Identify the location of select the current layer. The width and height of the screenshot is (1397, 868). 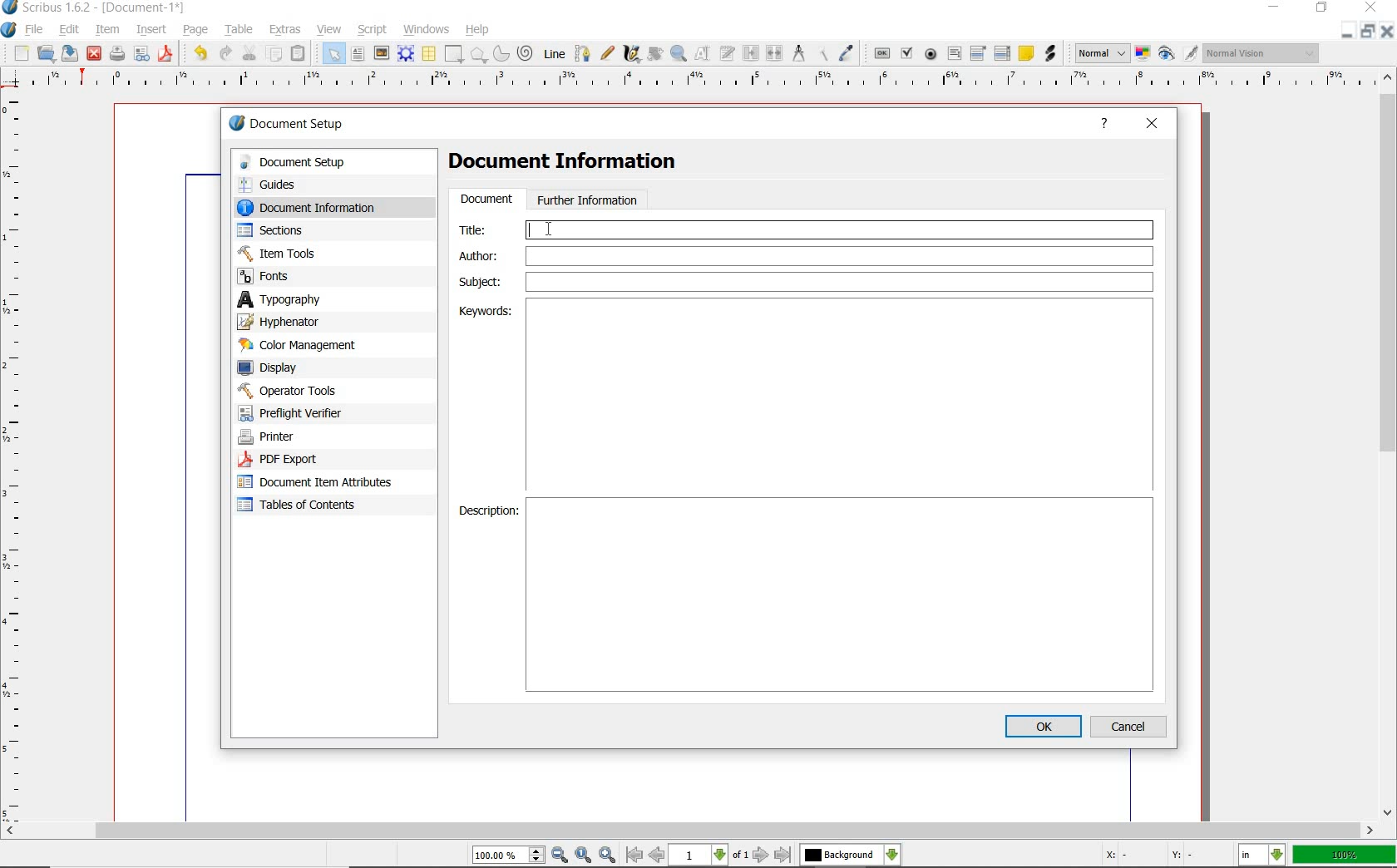
(851, 855).